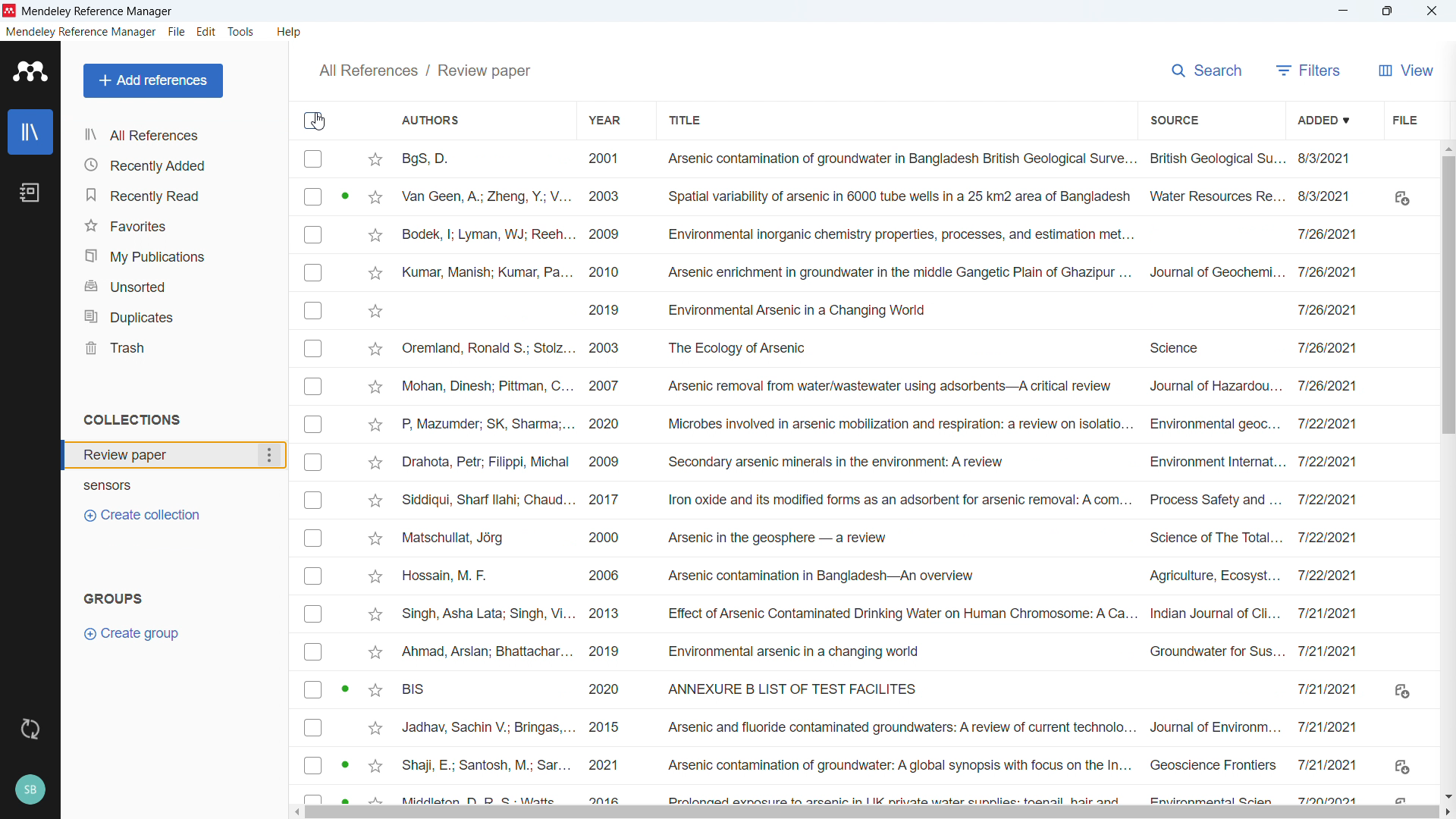  I want to click on Scroll left , so click(300, 812).